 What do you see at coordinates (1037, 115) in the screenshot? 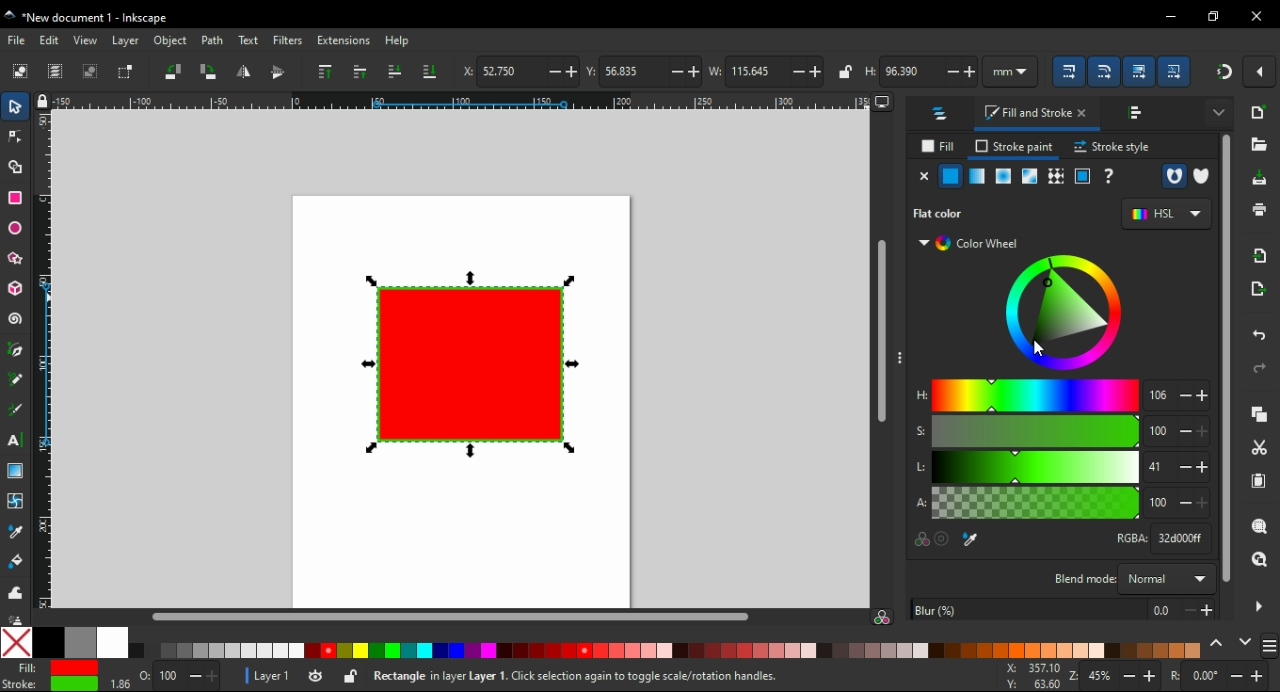
I see `fill stroke` at bounding box center [1037, 115].